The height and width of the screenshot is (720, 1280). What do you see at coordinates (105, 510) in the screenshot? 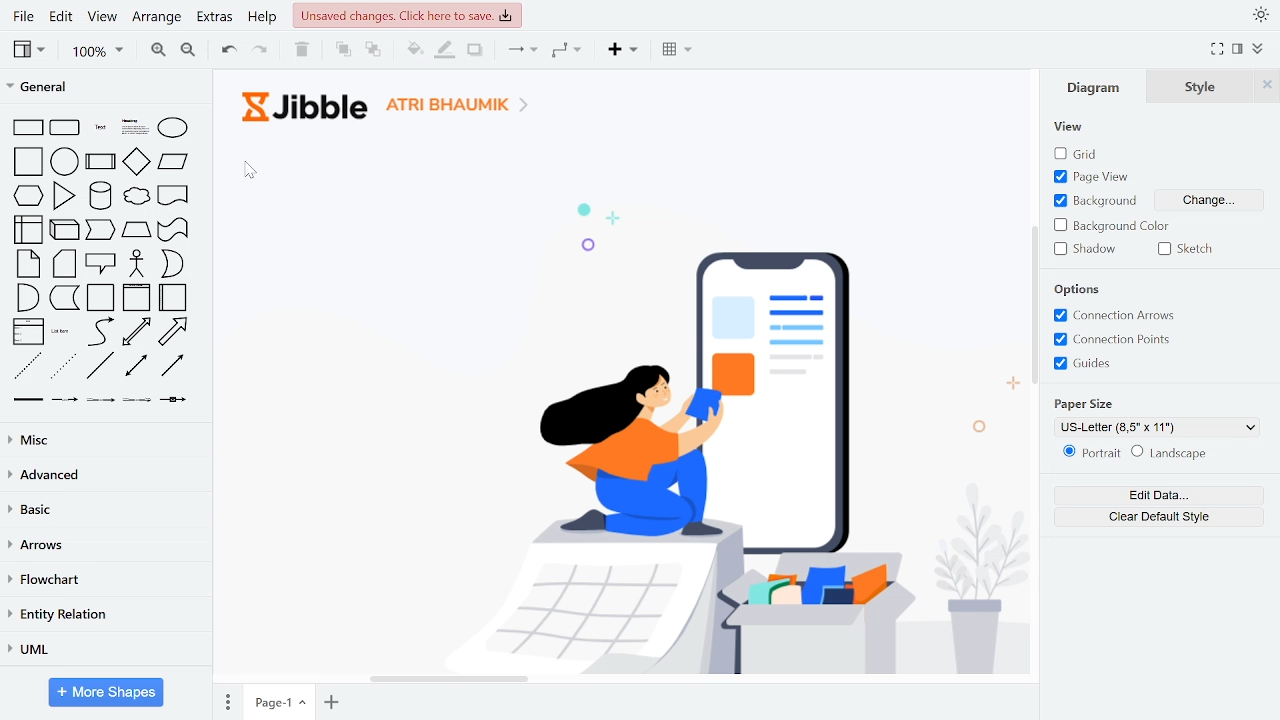
I see `basic` at bounding box center [105, 510].